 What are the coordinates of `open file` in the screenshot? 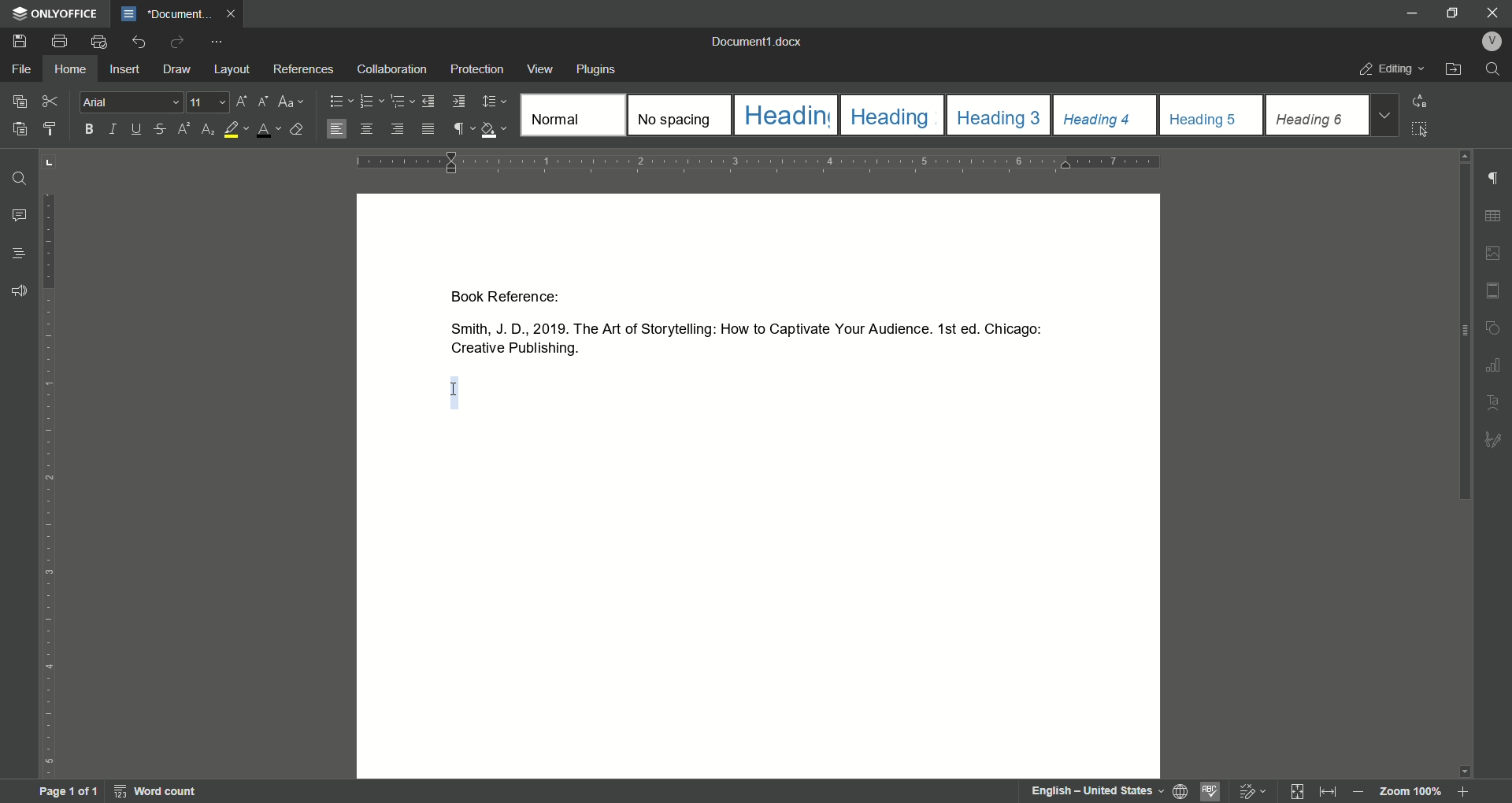 It's located at (1454, 68).